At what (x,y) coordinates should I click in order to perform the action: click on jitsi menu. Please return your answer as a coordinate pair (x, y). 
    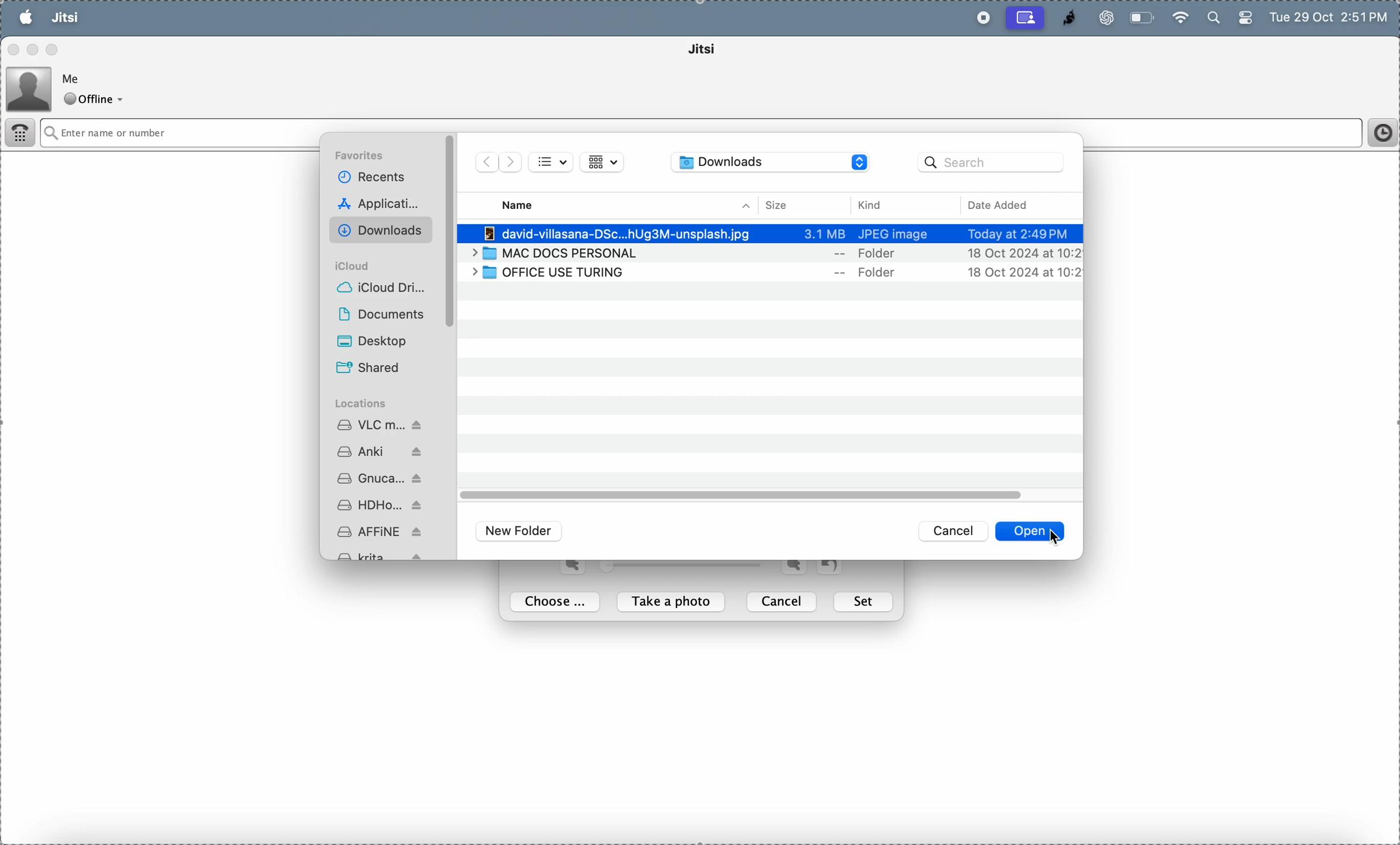
    Looking at the image, I should click on (65, 19).